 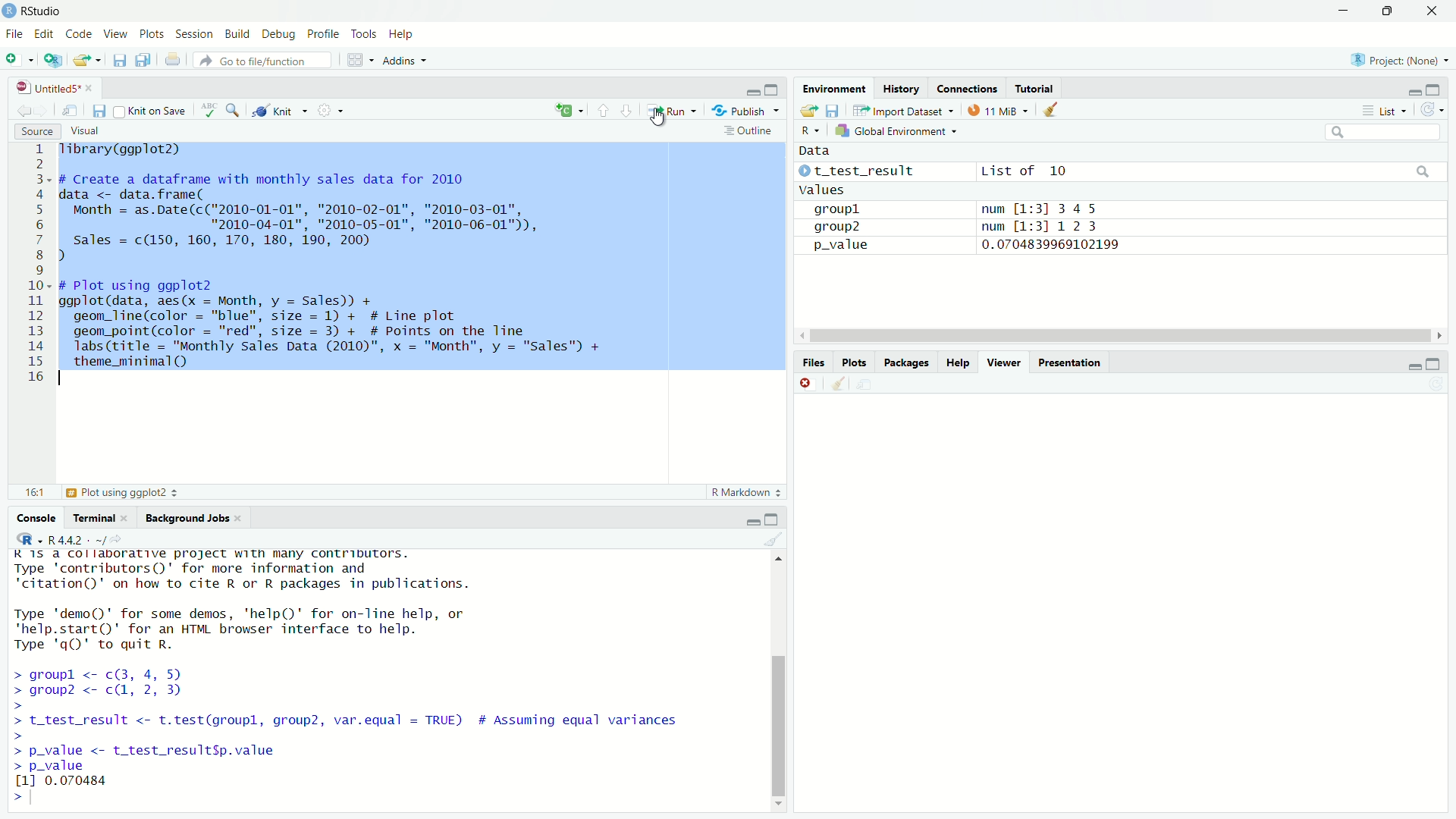 What do you see at coordinates (35, 516) in the screenshot?
I see `Console` at bounding box center [35, 516].